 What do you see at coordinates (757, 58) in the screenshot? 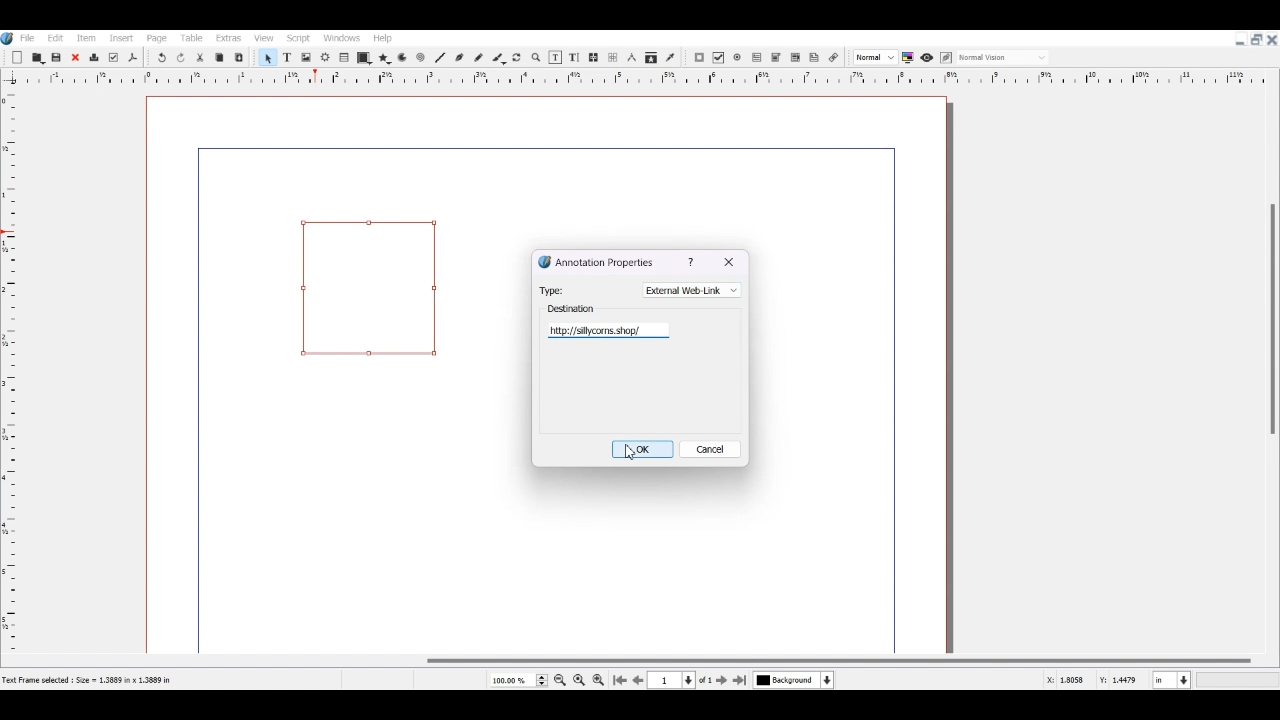
I see `PDF Text Field` at bounding box center [757, 58].